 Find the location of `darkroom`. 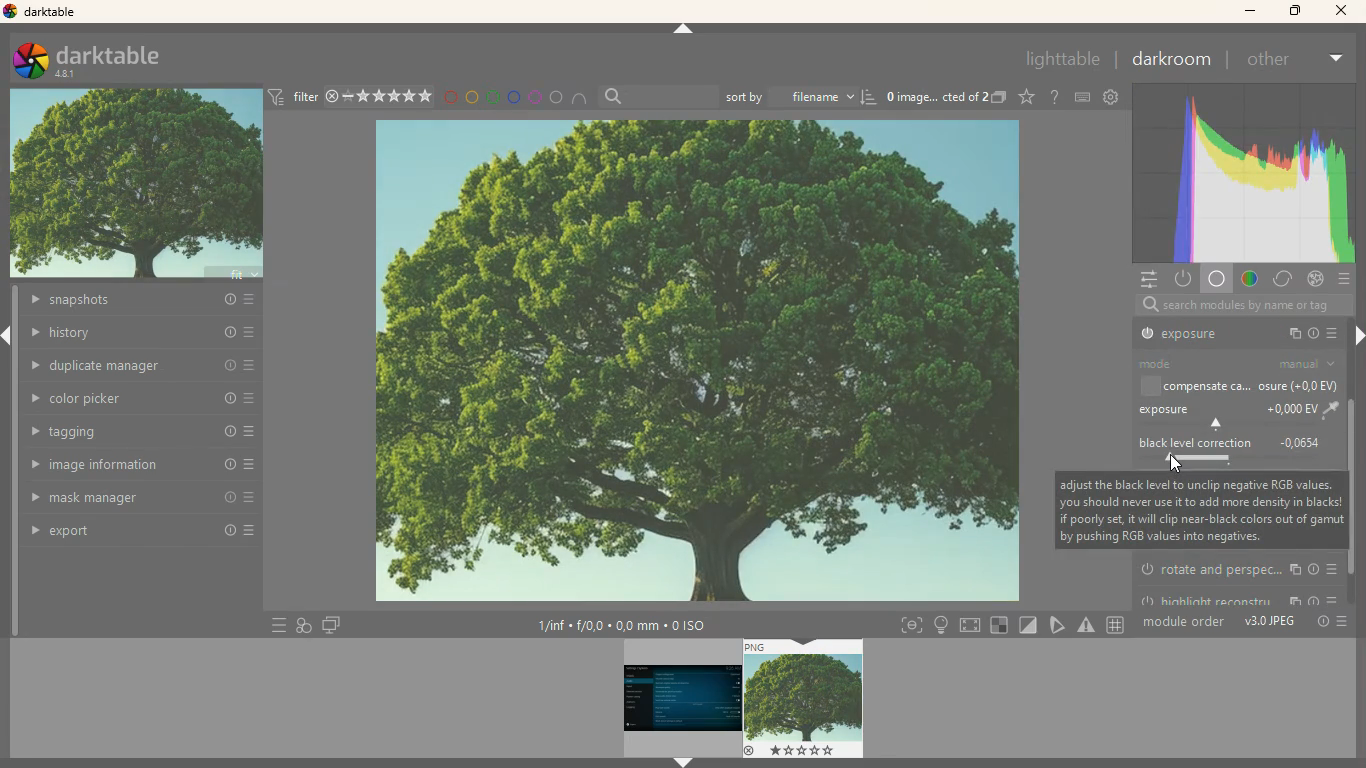

darkroom is located at coordinates (1176, 61).